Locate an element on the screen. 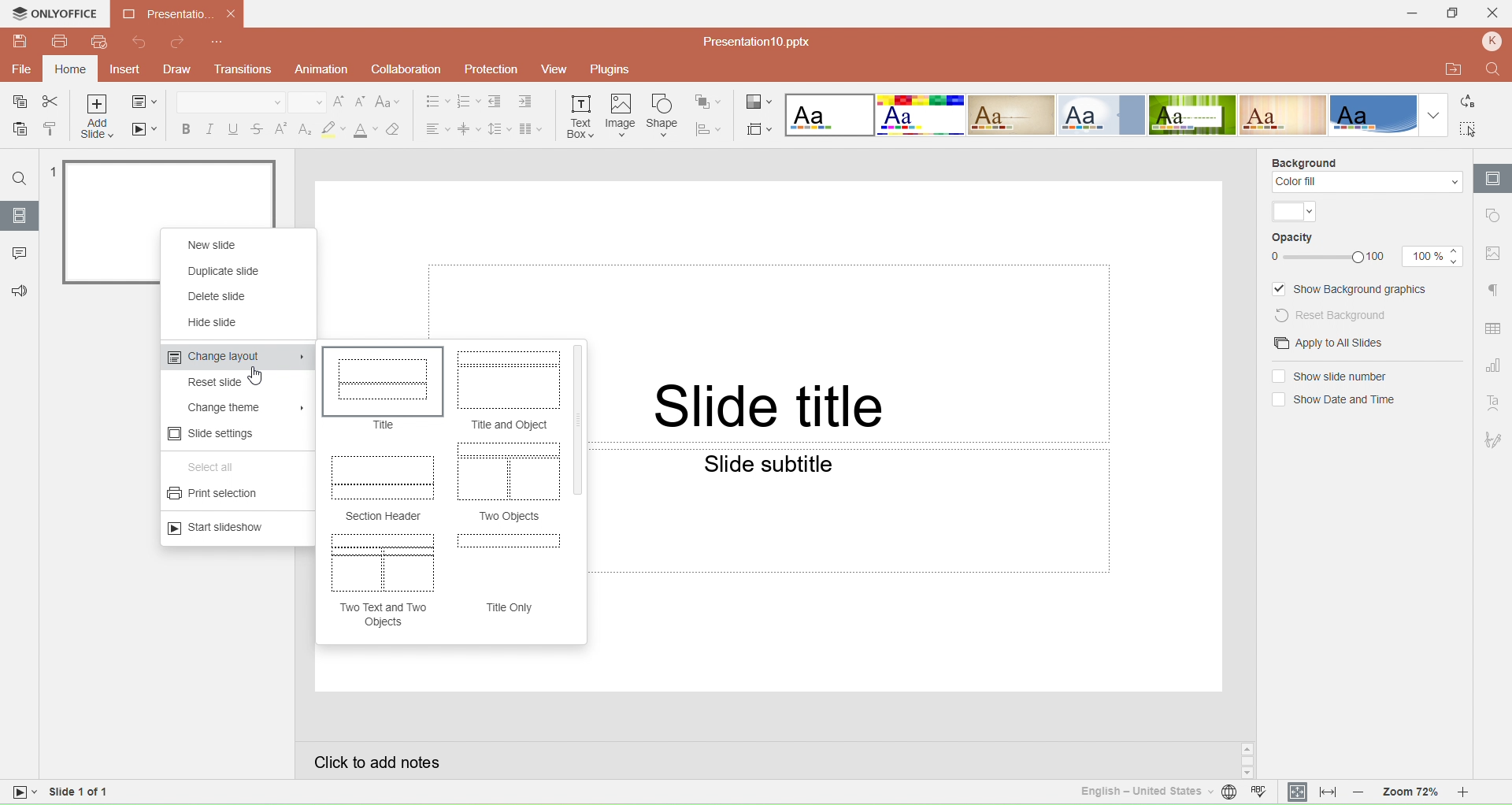  Insert is located at coordinates (124, 70).